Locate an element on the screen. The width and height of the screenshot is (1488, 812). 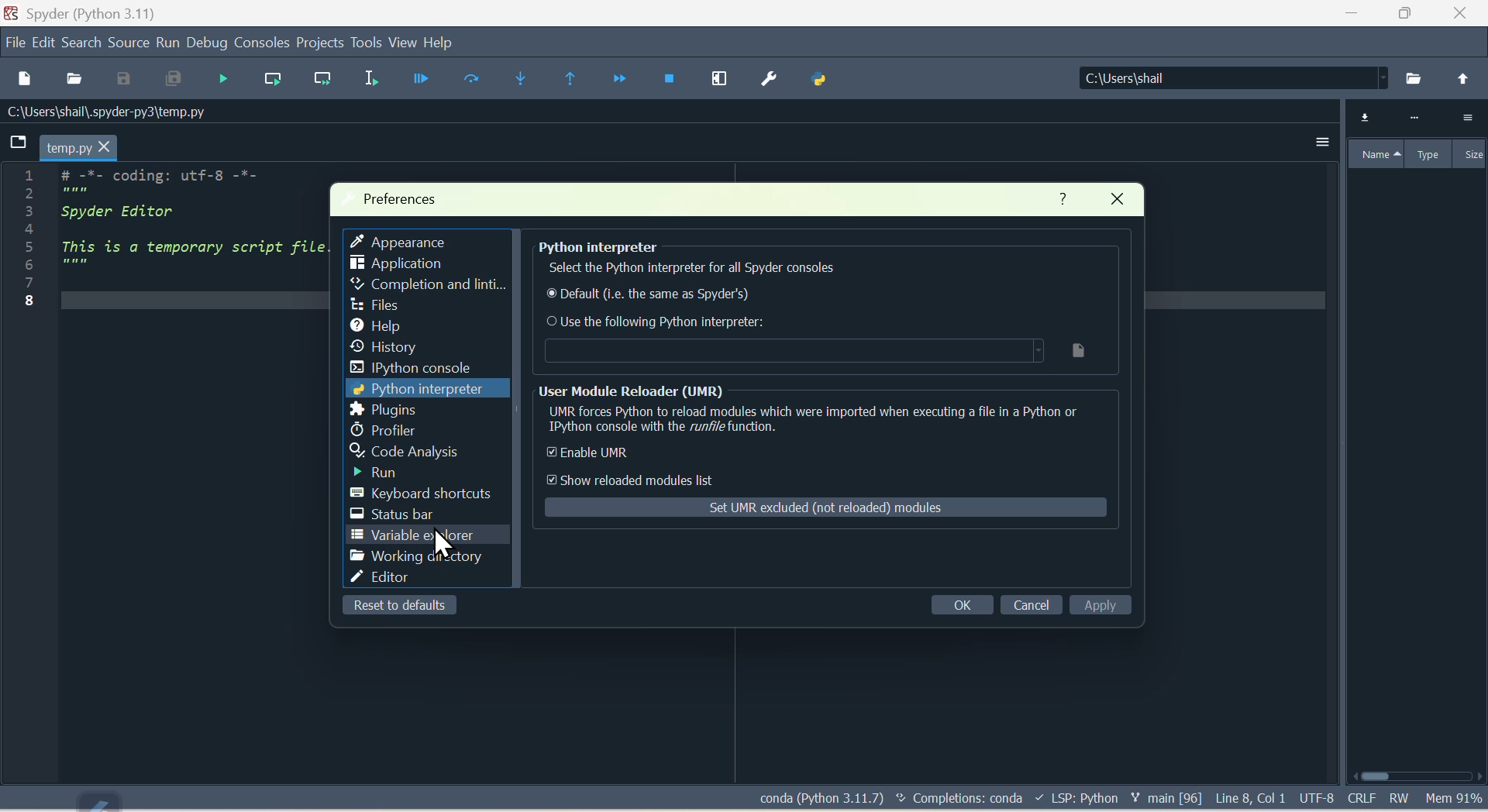
Continue execution until same function arrives is located at coordinates (566, 81).